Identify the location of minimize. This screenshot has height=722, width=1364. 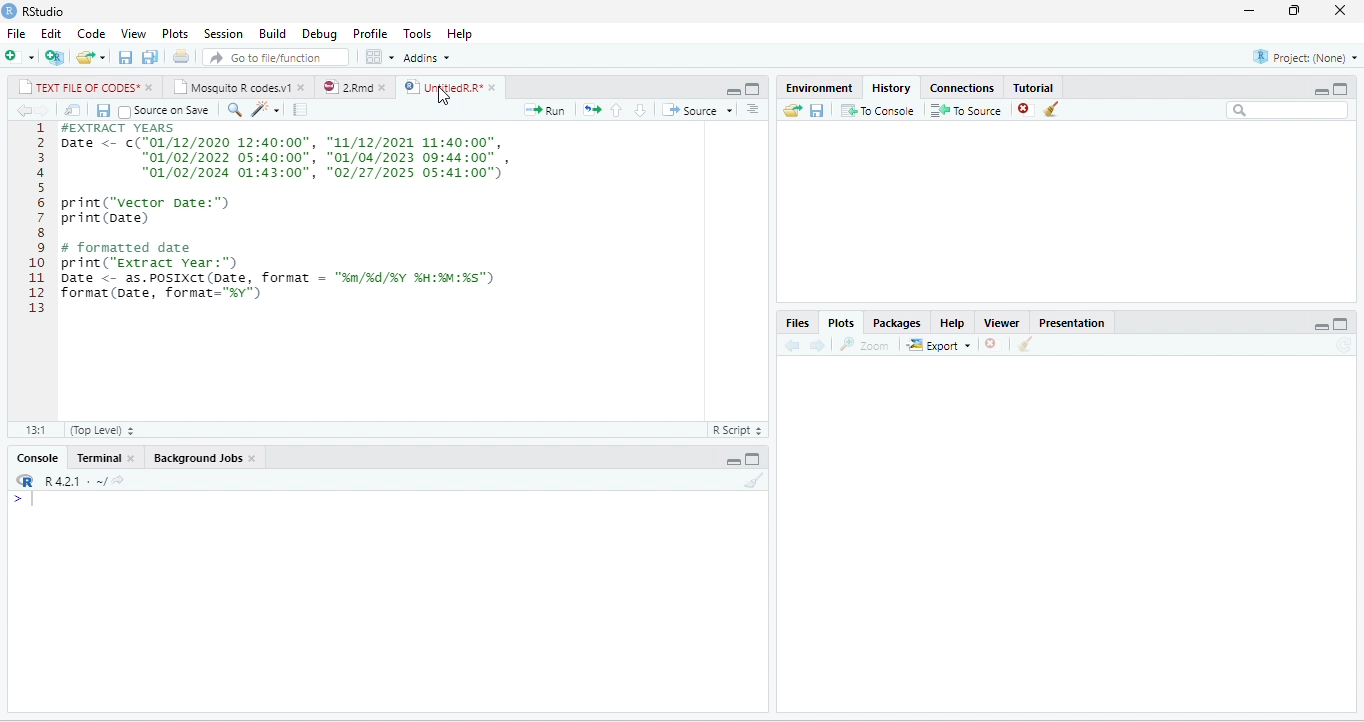
(1321, 91).